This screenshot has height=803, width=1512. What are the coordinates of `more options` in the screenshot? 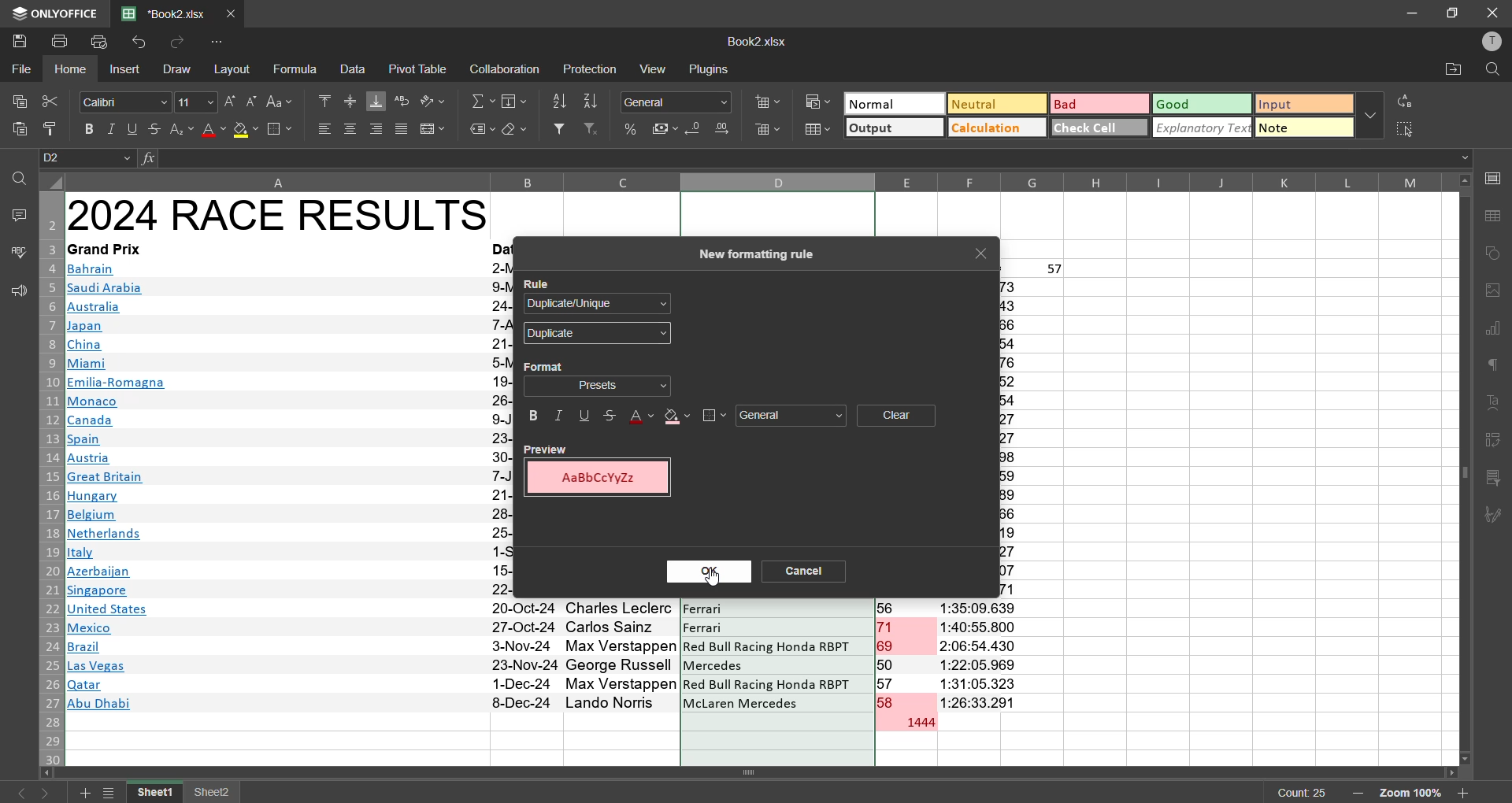 It's located at (1369, 114).